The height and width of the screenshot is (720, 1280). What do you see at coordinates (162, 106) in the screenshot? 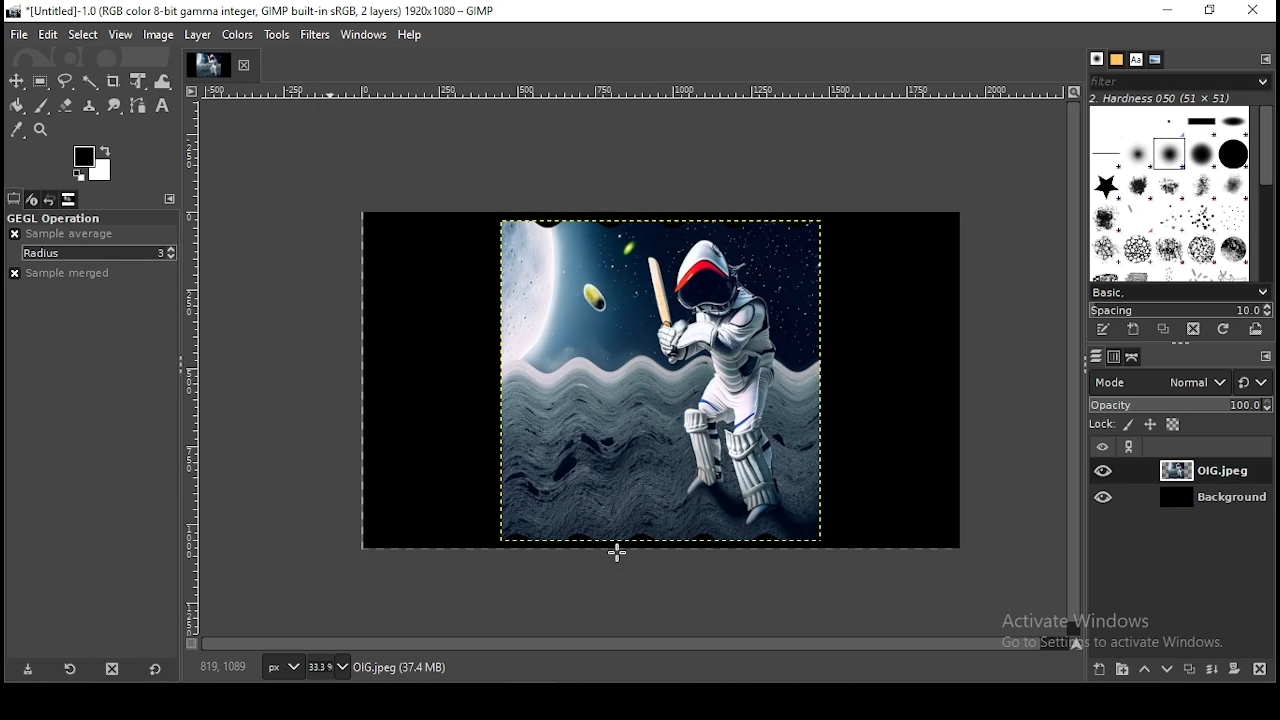
I see `text tool` at bounding box center [162, 106].